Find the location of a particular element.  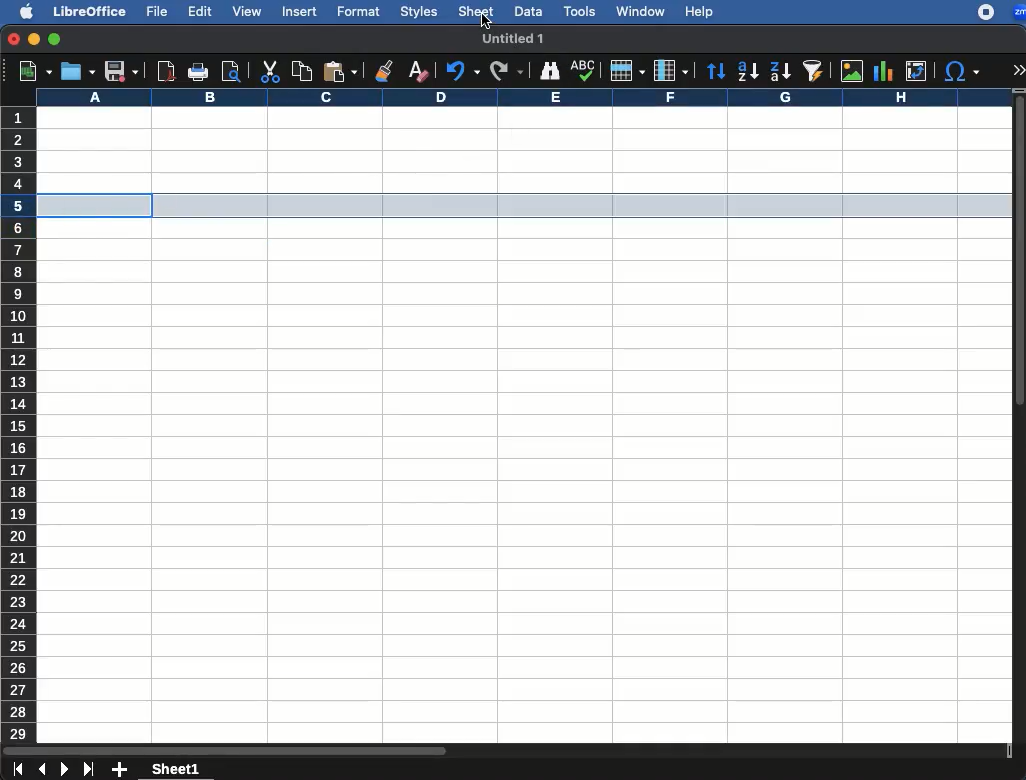

print preview is located at coordinates (233, 71).